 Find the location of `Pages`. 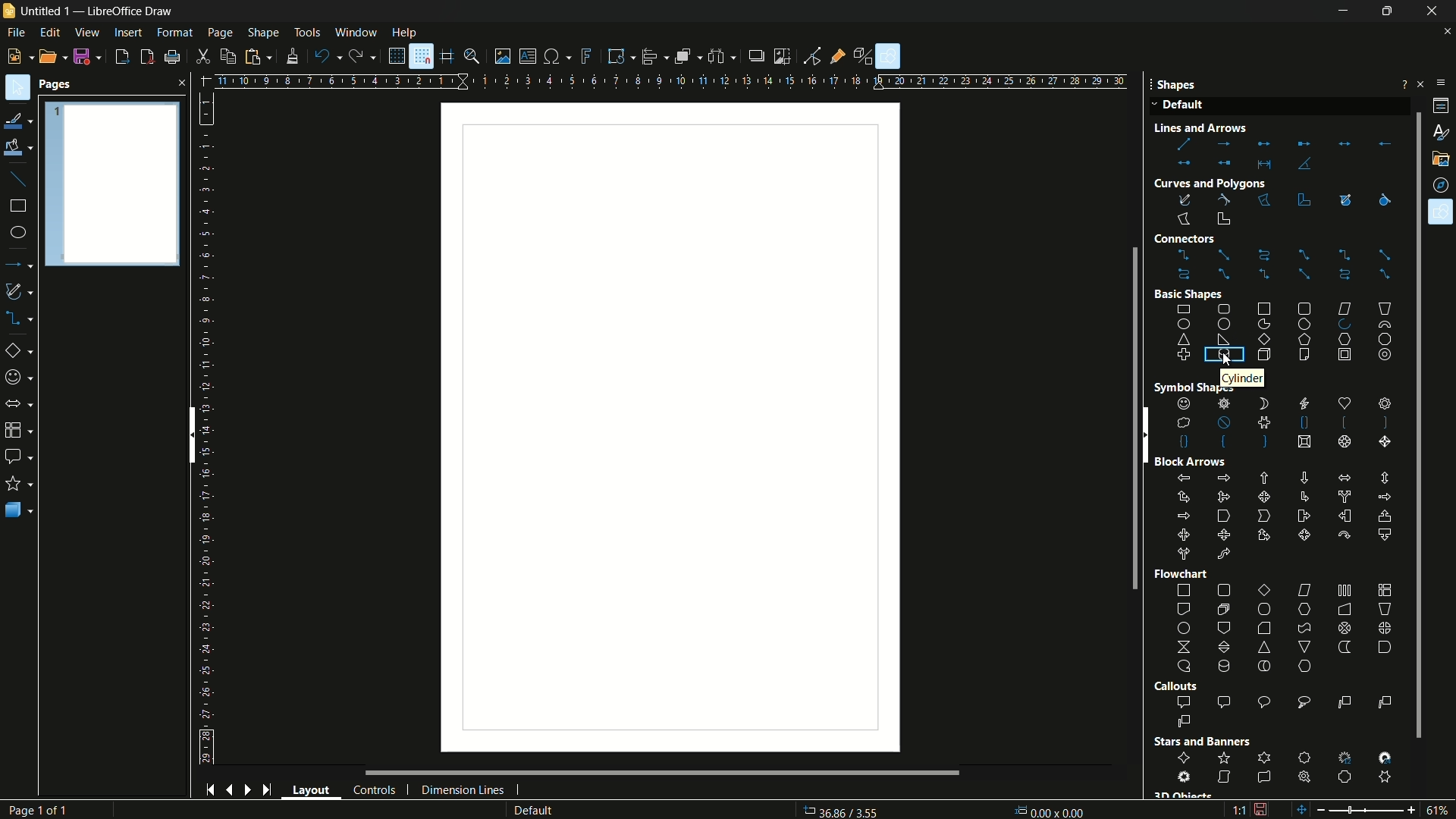

Pages is located at coordinates (112, 182).